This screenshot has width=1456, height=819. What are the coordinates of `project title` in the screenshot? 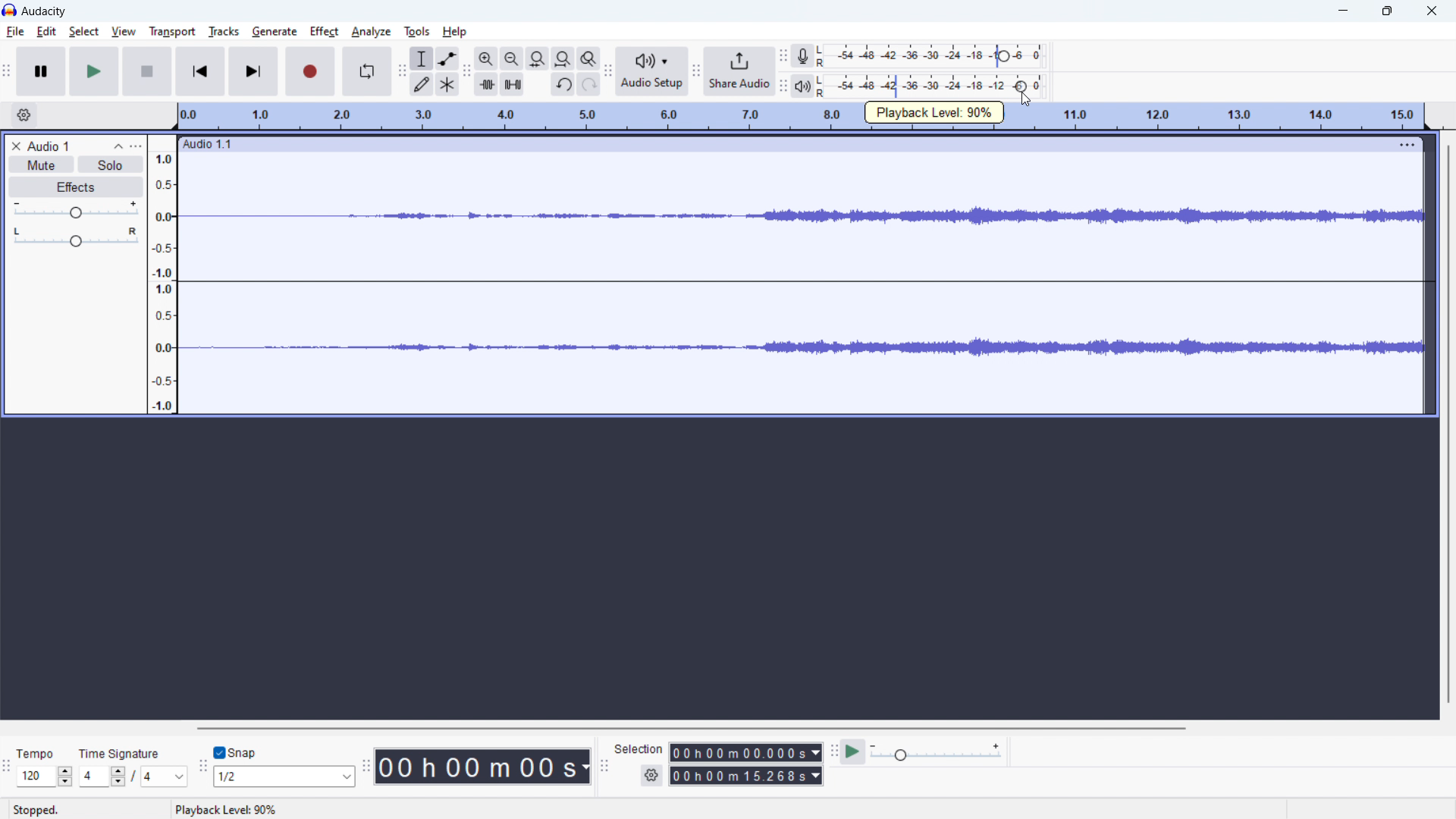 It's located at (49, 146).